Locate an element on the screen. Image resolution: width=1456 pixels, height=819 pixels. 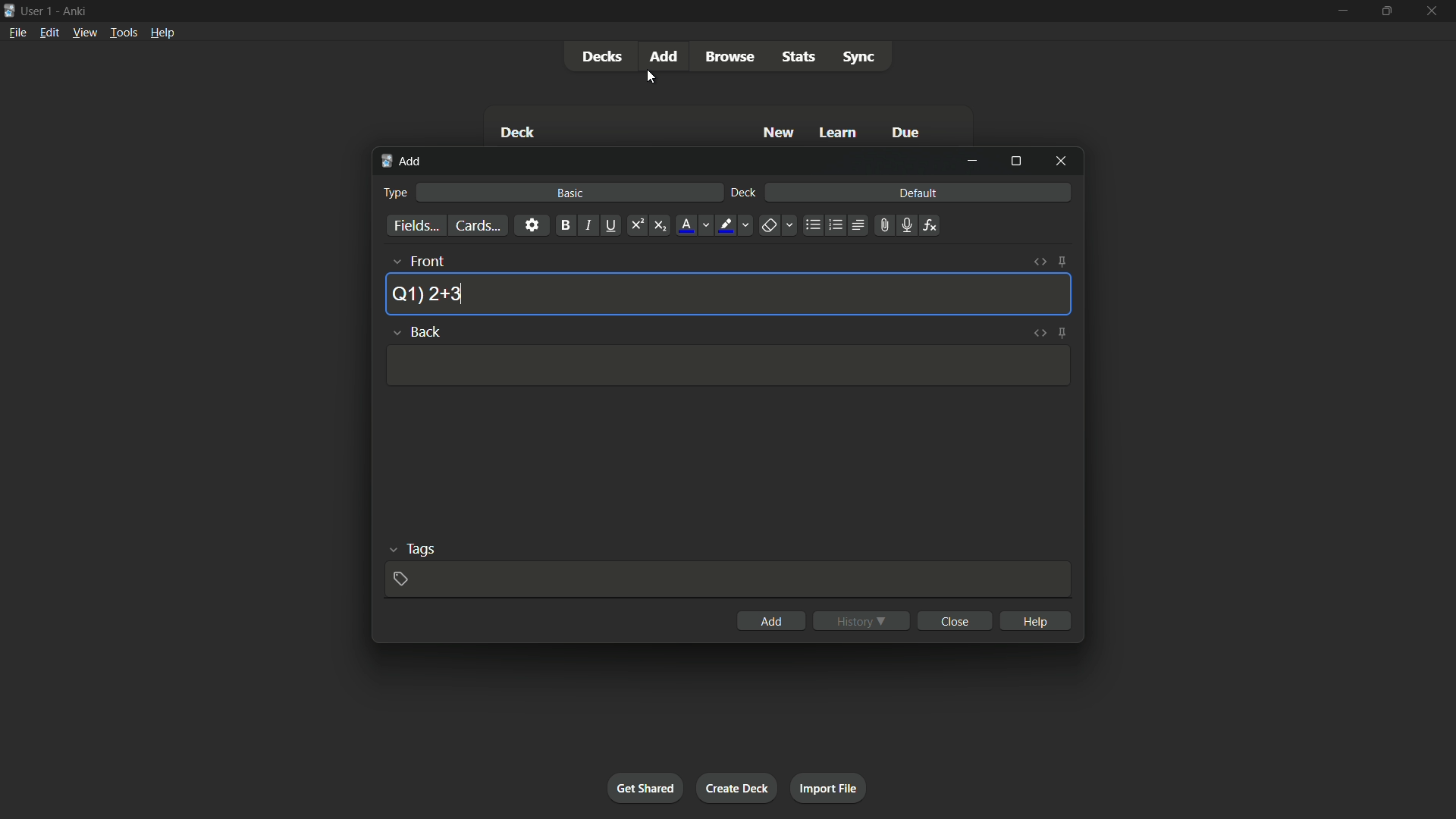
subscript is located at coordinates (660, 226).